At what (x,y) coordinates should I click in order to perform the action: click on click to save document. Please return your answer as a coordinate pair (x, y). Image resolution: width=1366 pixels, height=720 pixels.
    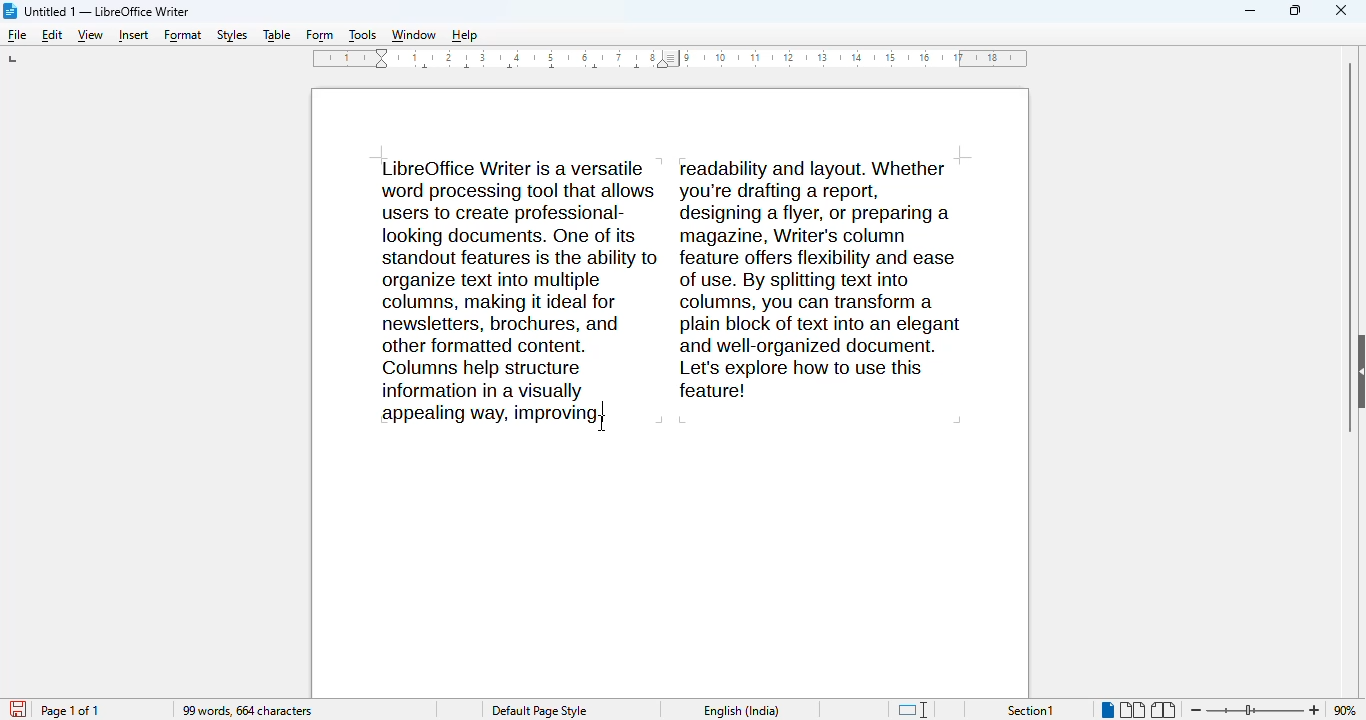
    Looking at the image, I should click on (19, 708).